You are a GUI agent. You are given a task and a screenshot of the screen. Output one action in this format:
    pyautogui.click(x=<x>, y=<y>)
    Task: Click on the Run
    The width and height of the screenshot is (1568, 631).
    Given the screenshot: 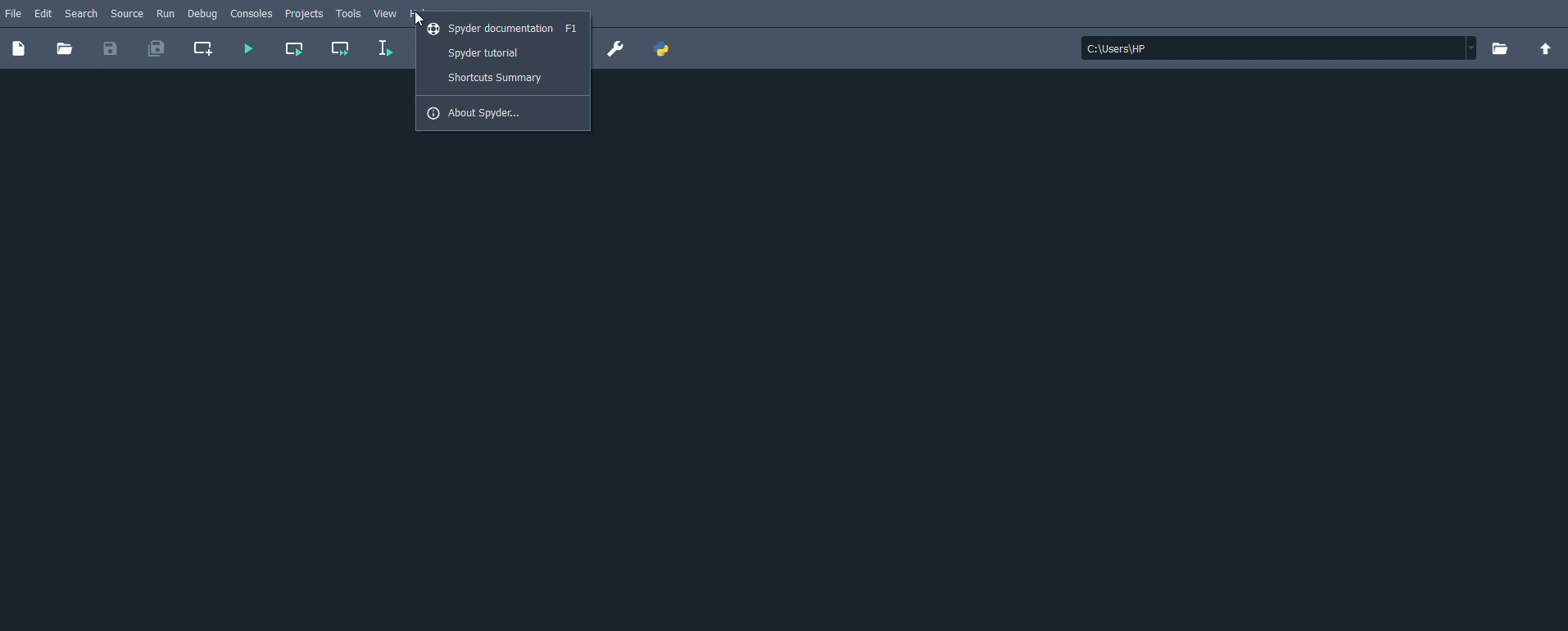 What is the action you would take?
    pyautogui.click(x=165, y=15)
    